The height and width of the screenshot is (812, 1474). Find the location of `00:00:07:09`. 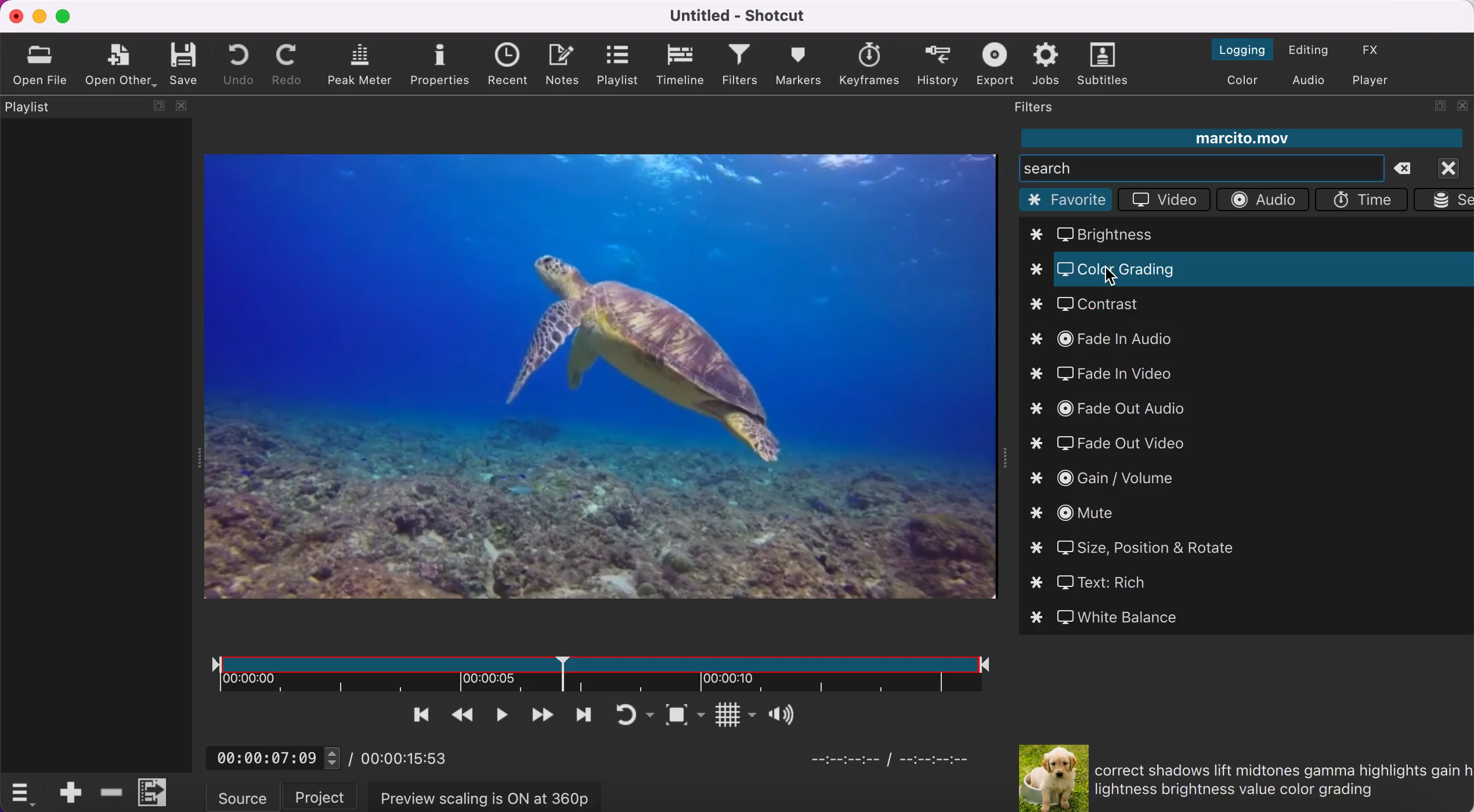

00:00:07:09 is located at coordinates (273, 754).